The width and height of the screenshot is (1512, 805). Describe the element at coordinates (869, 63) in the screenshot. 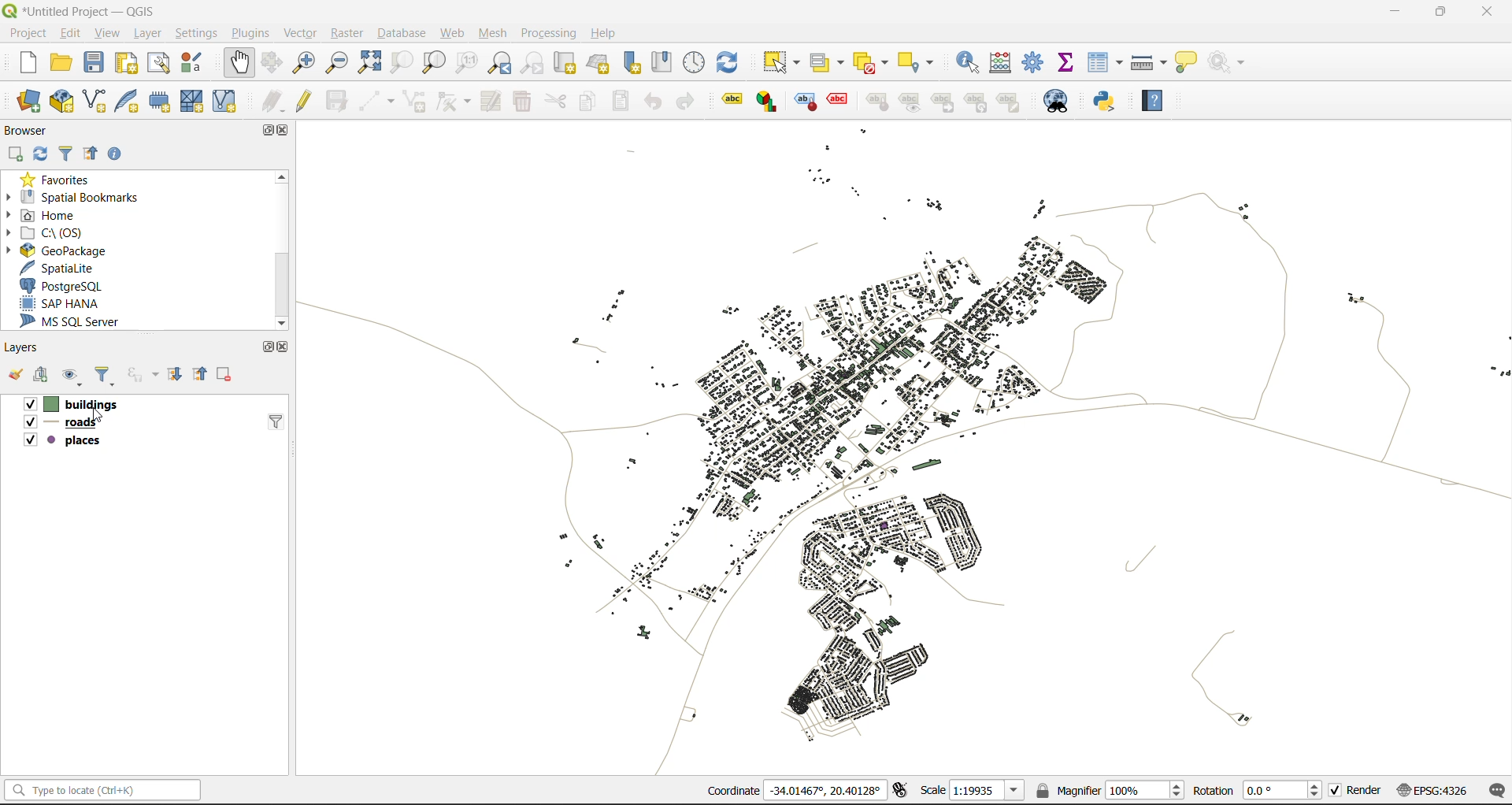

I see `deselect value` at that location.